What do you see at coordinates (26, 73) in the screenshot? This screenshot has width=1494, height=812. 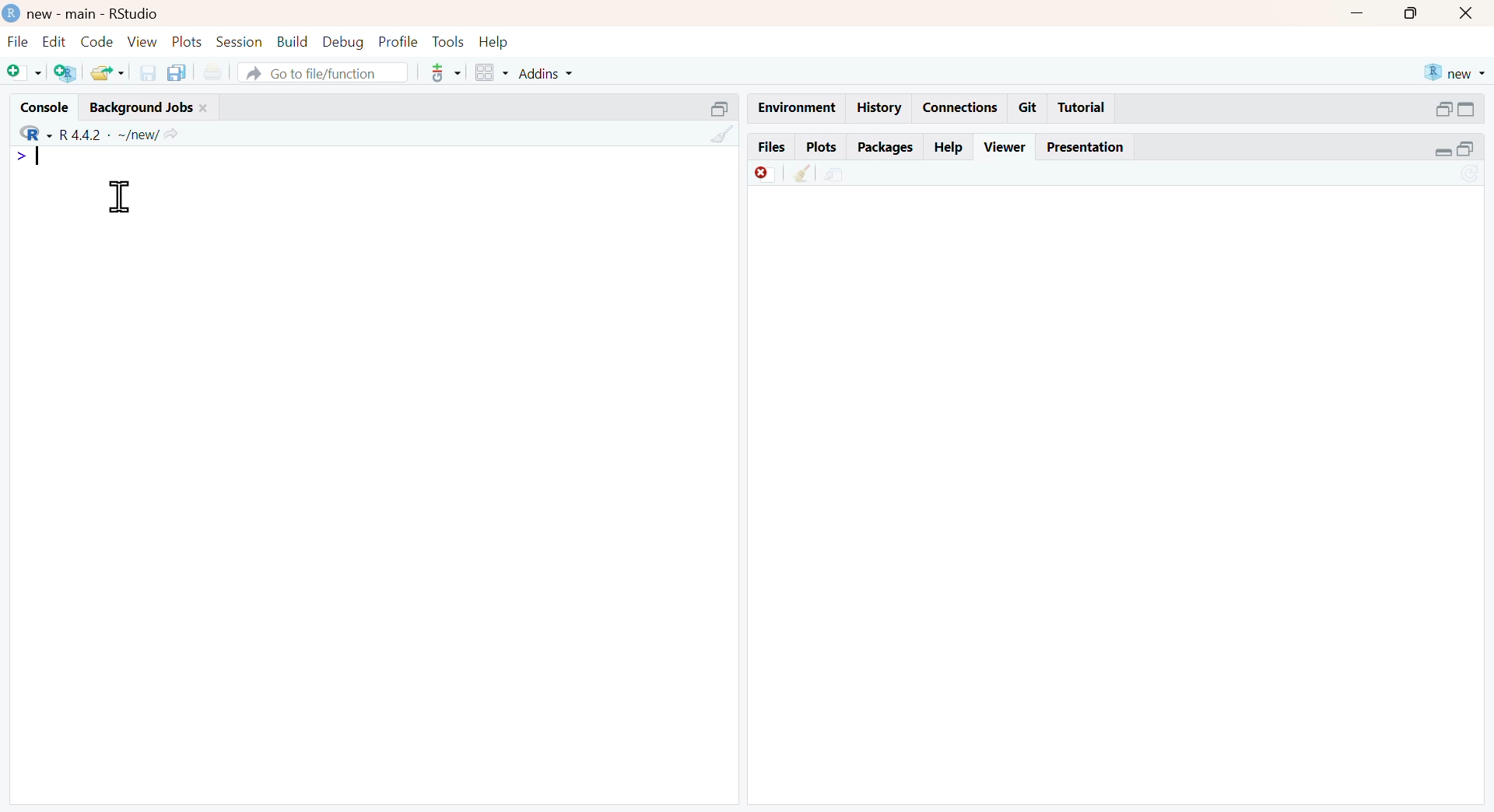 I see `Add file as` at bounding box center [26, 73].